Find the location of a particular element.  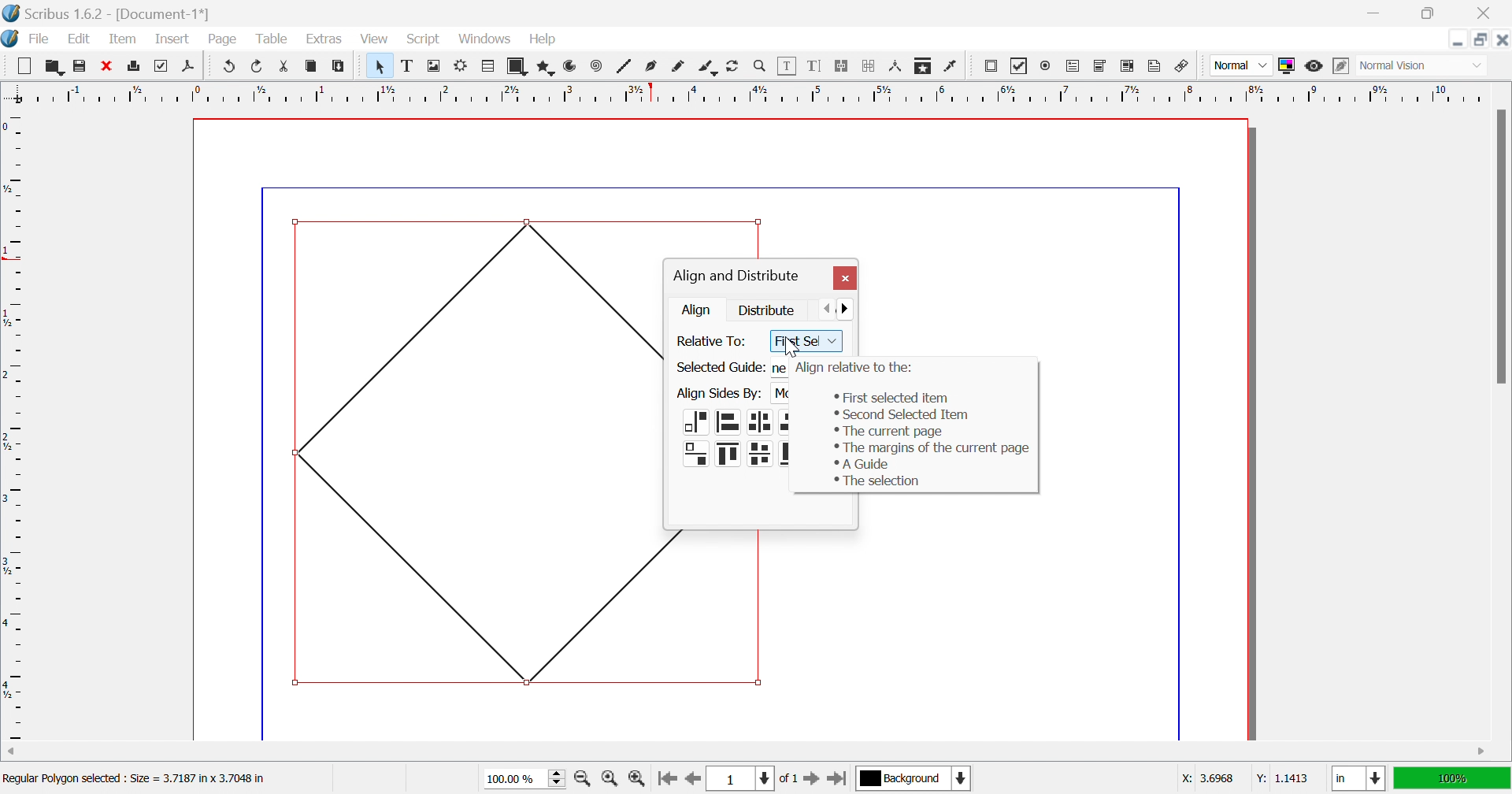

Close is located at coordinates (105, 64).